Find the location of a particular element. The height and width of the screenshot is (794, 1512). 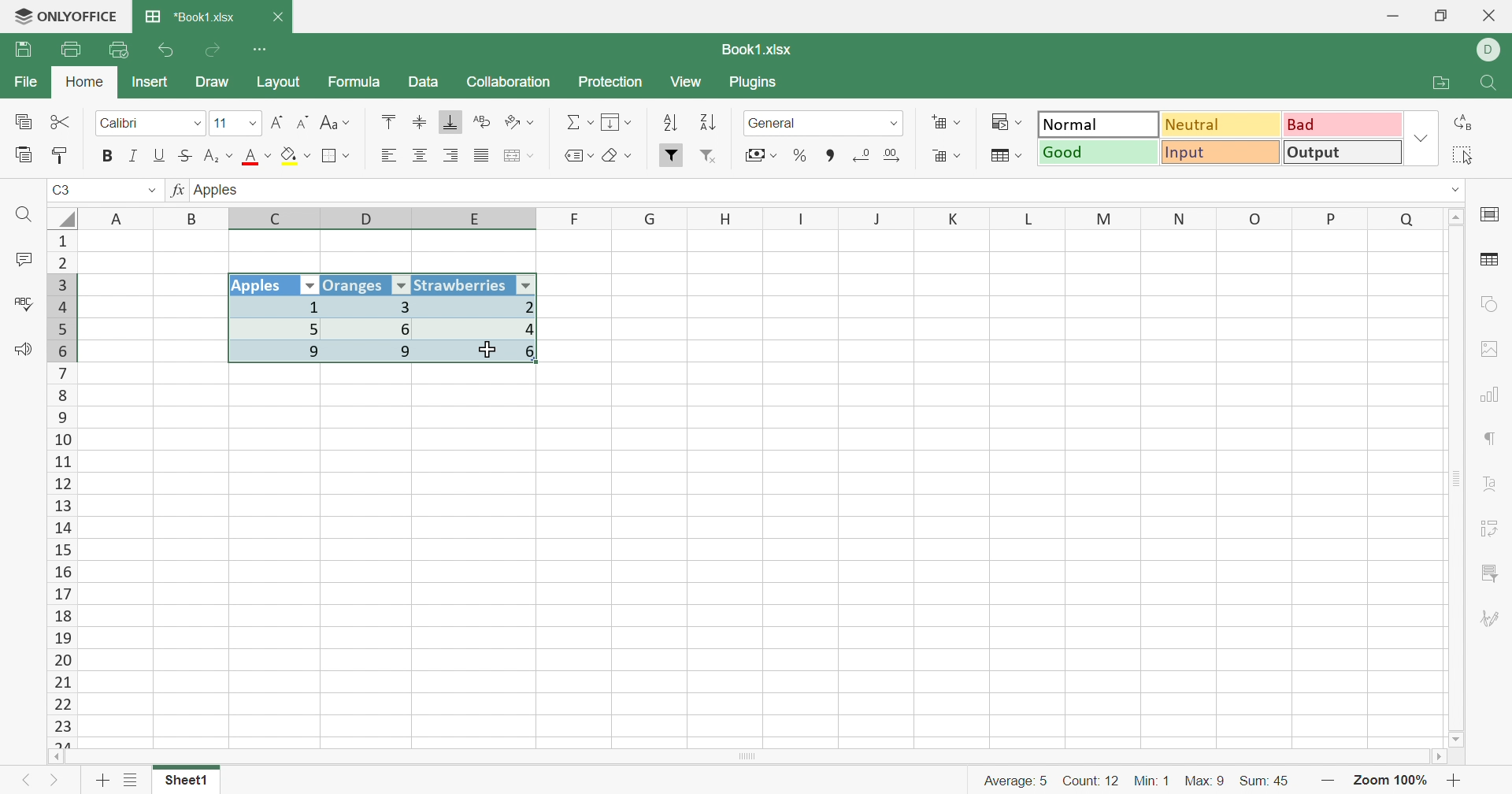

Align Bottom is located at coordinates (451, 122).